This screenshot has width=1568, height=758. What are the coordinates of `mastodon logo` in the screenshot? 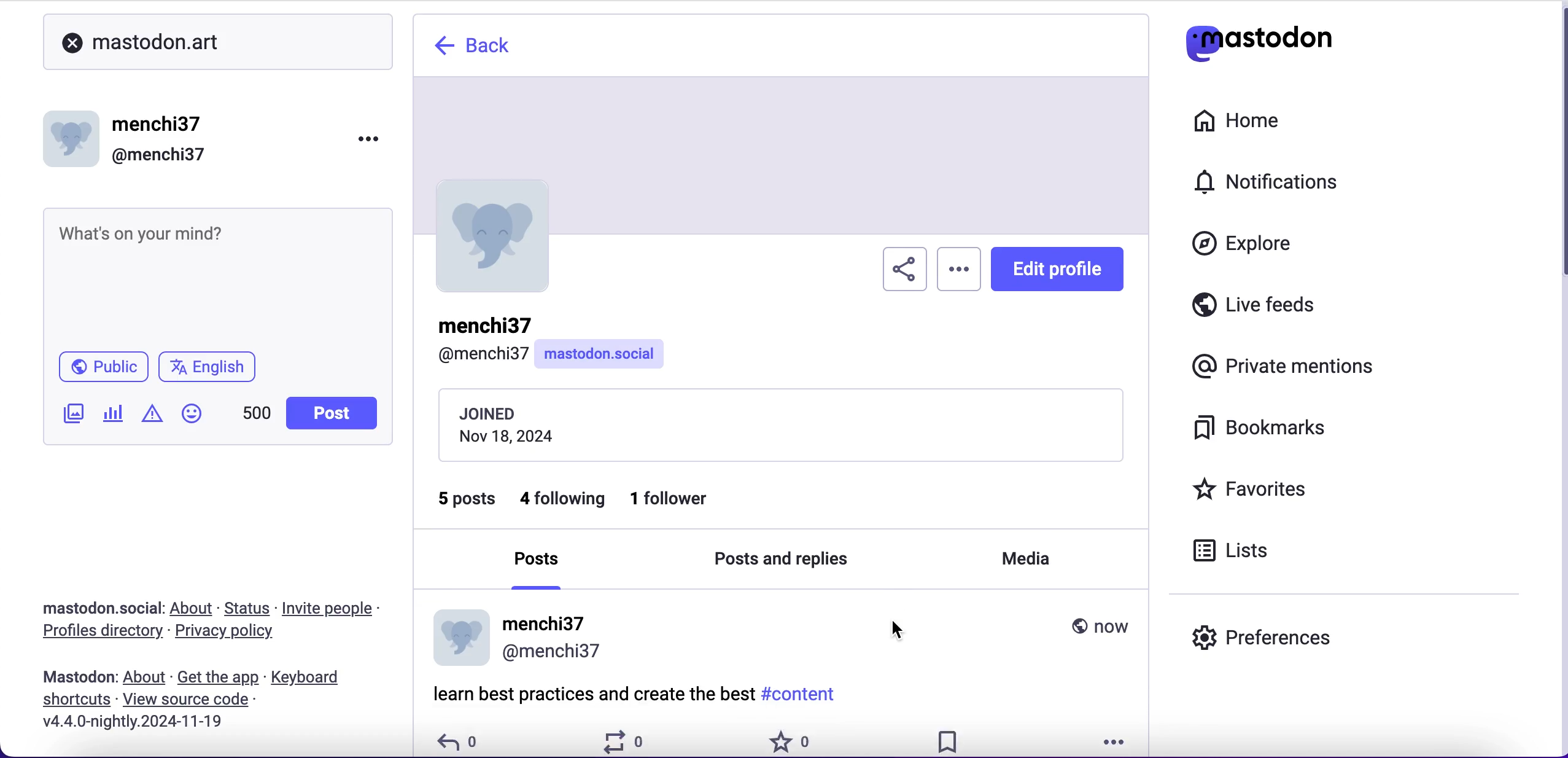 It's located at (1282, 44).